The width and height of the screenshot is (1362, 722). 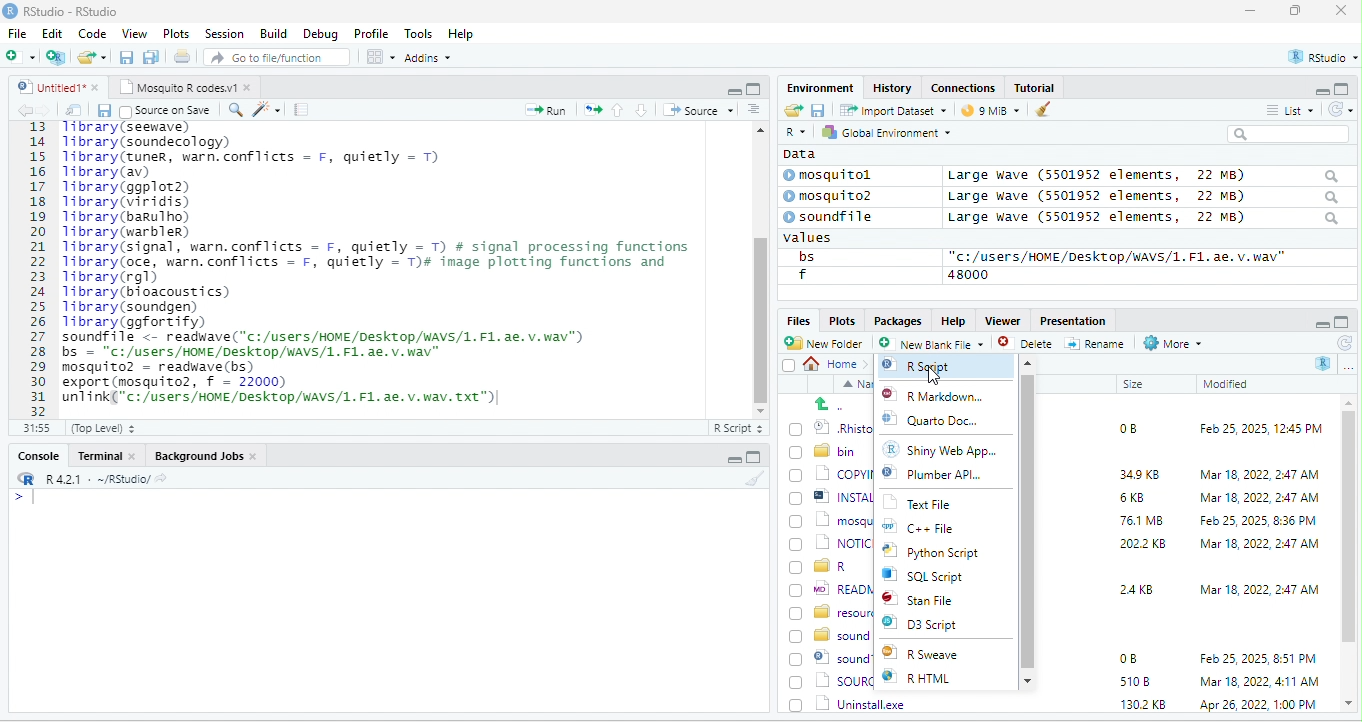 I want to click on “c:/users/HOME /Desktop/WAVS/1.F1. ae. v.wav", so click(x=1117, y=256).